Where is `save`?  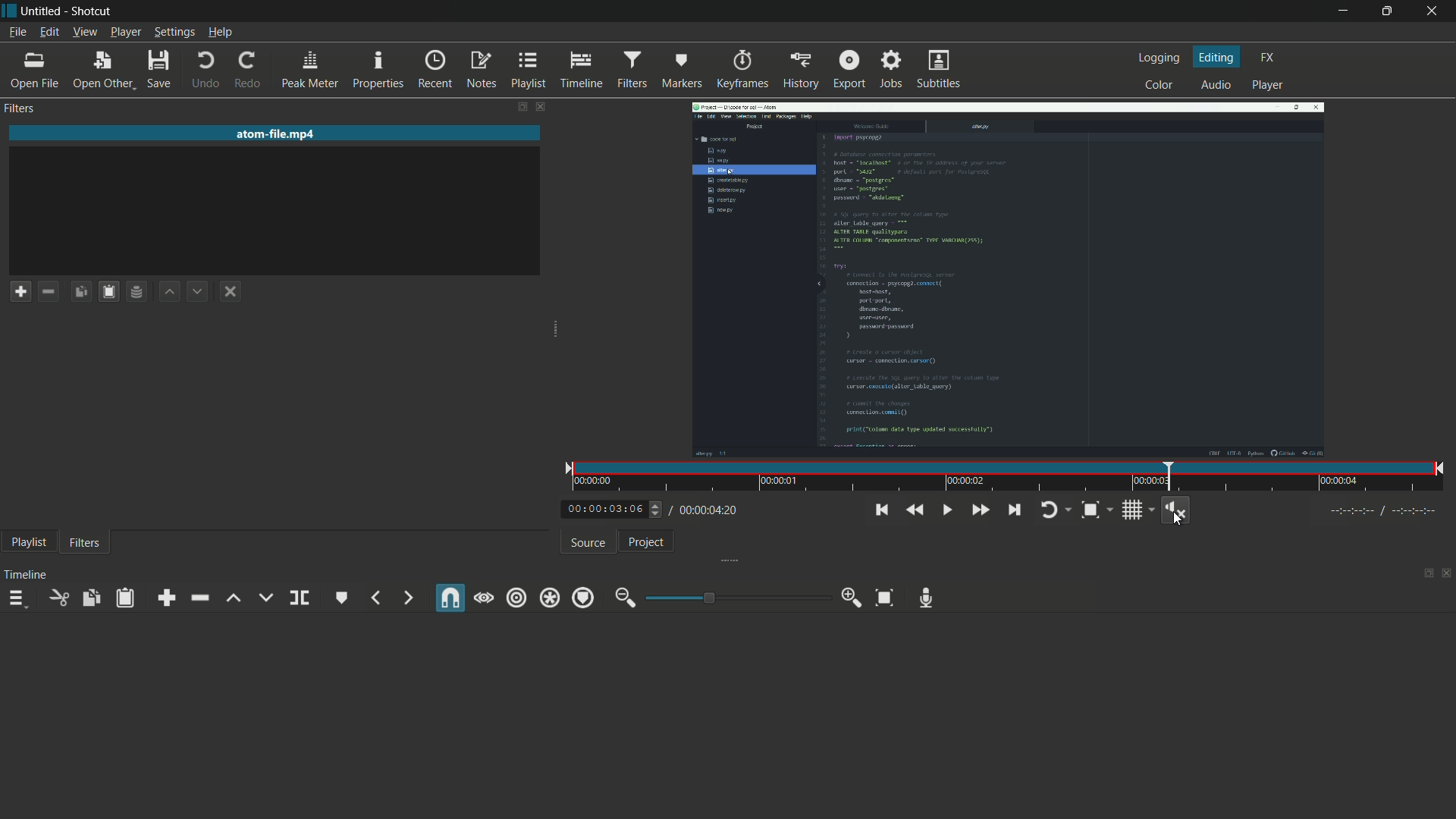 save is located at coordinates (158, 69).